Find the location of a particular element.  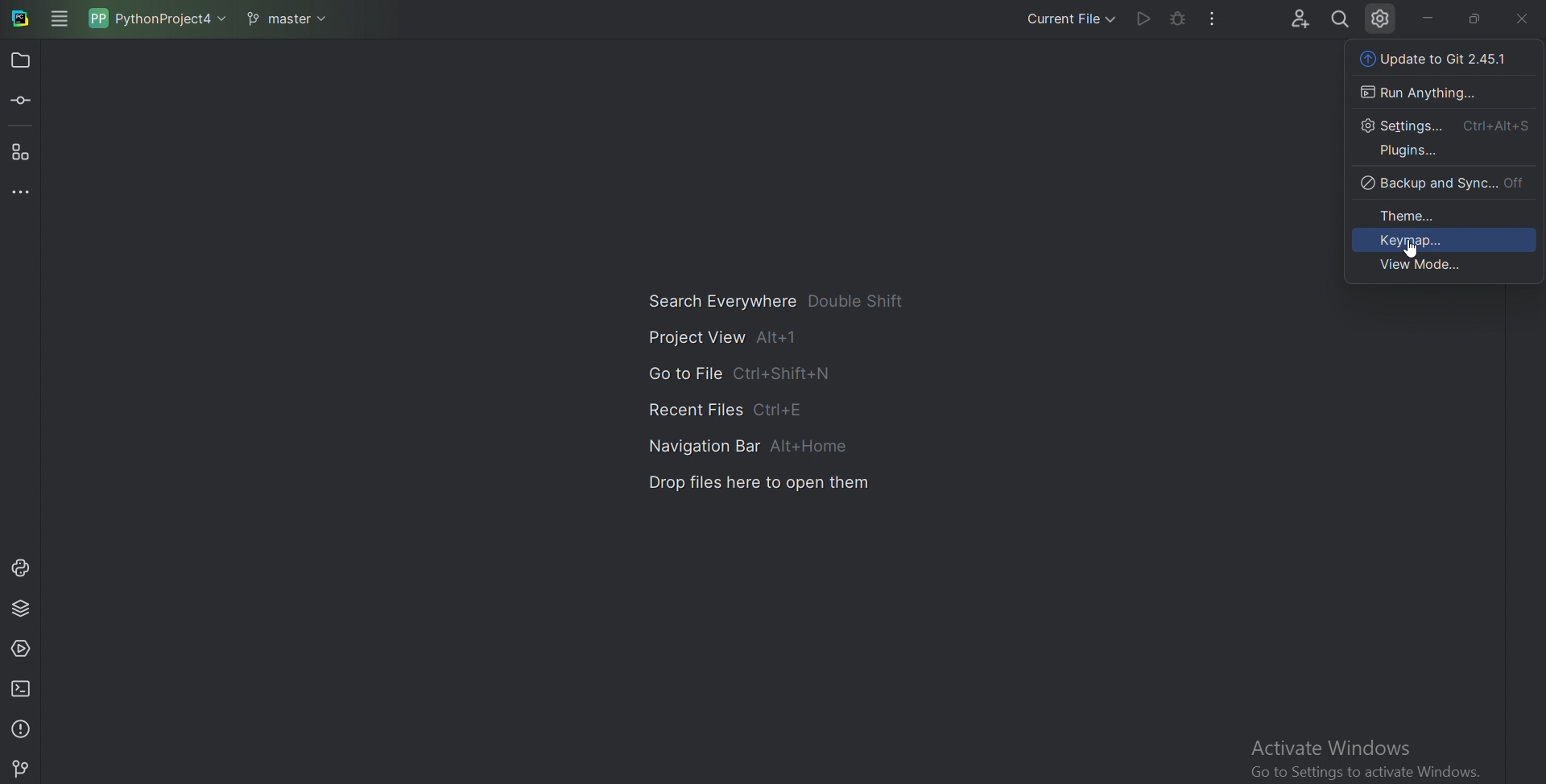

Keymap is located at coordinates (1409, 241).